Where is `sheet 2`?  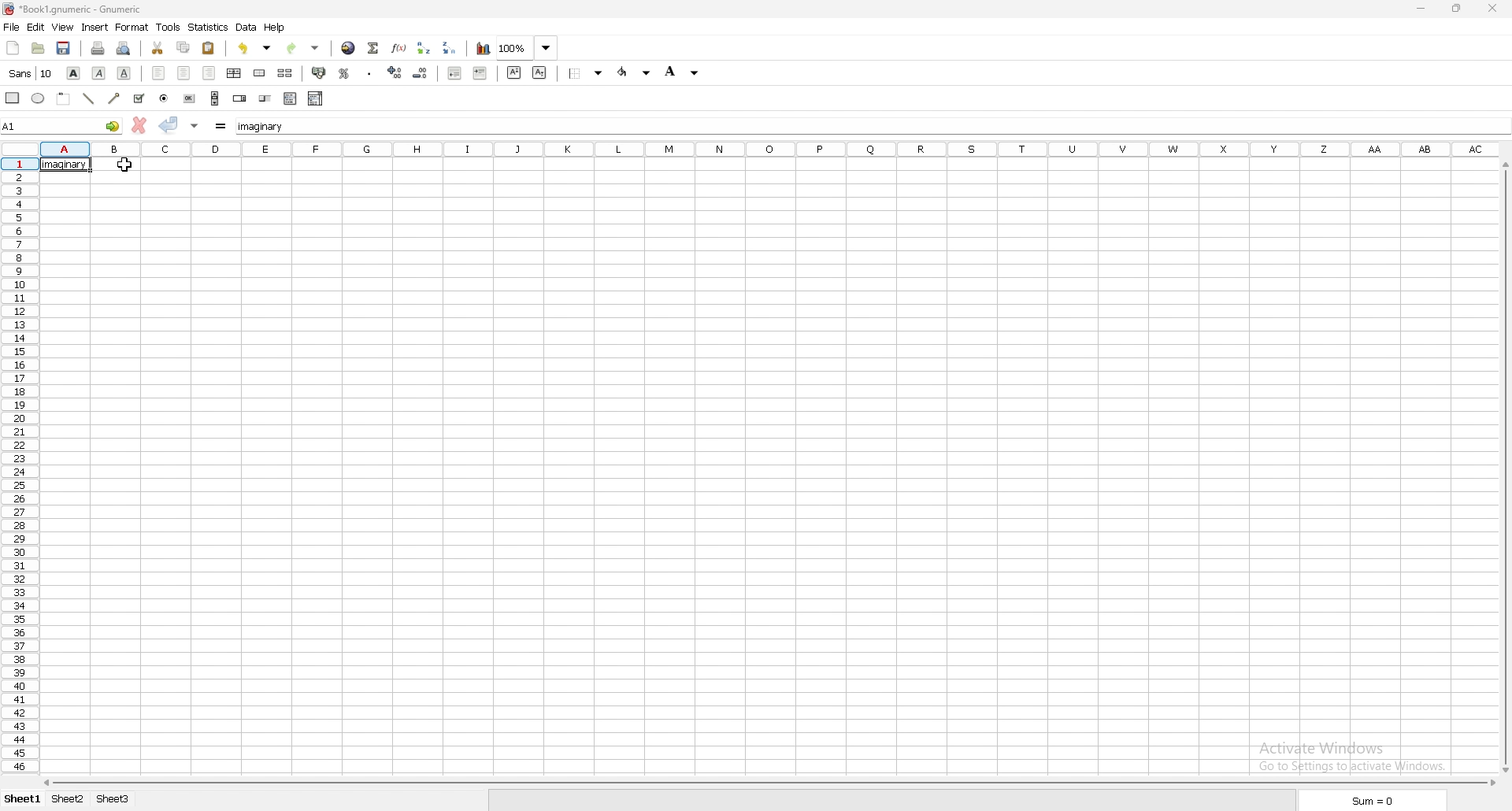
sheet 2 is located at coordinates (68, 800).